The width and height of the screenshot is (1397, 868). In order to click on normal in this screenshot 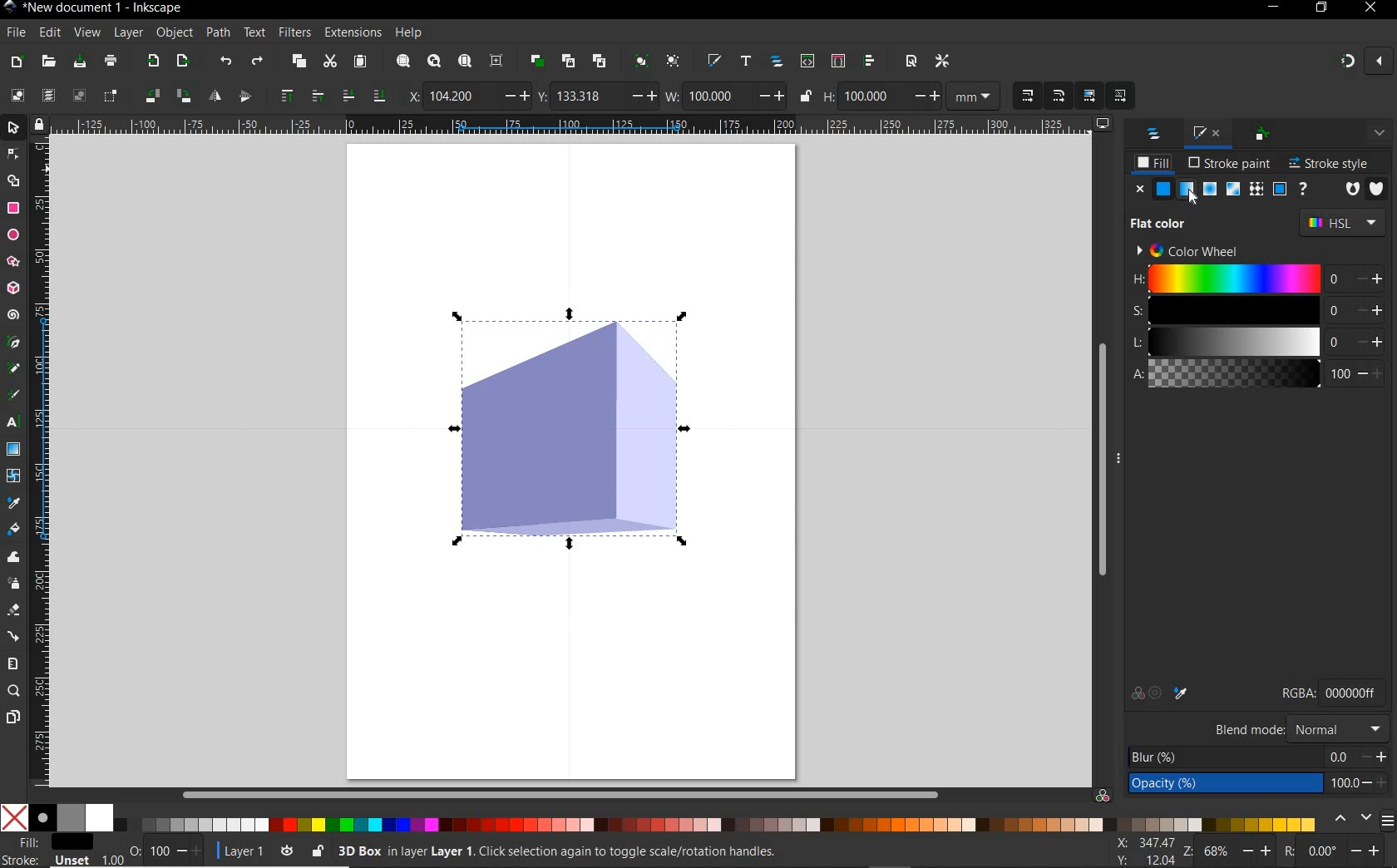, I will do `click(1337, 728)`.